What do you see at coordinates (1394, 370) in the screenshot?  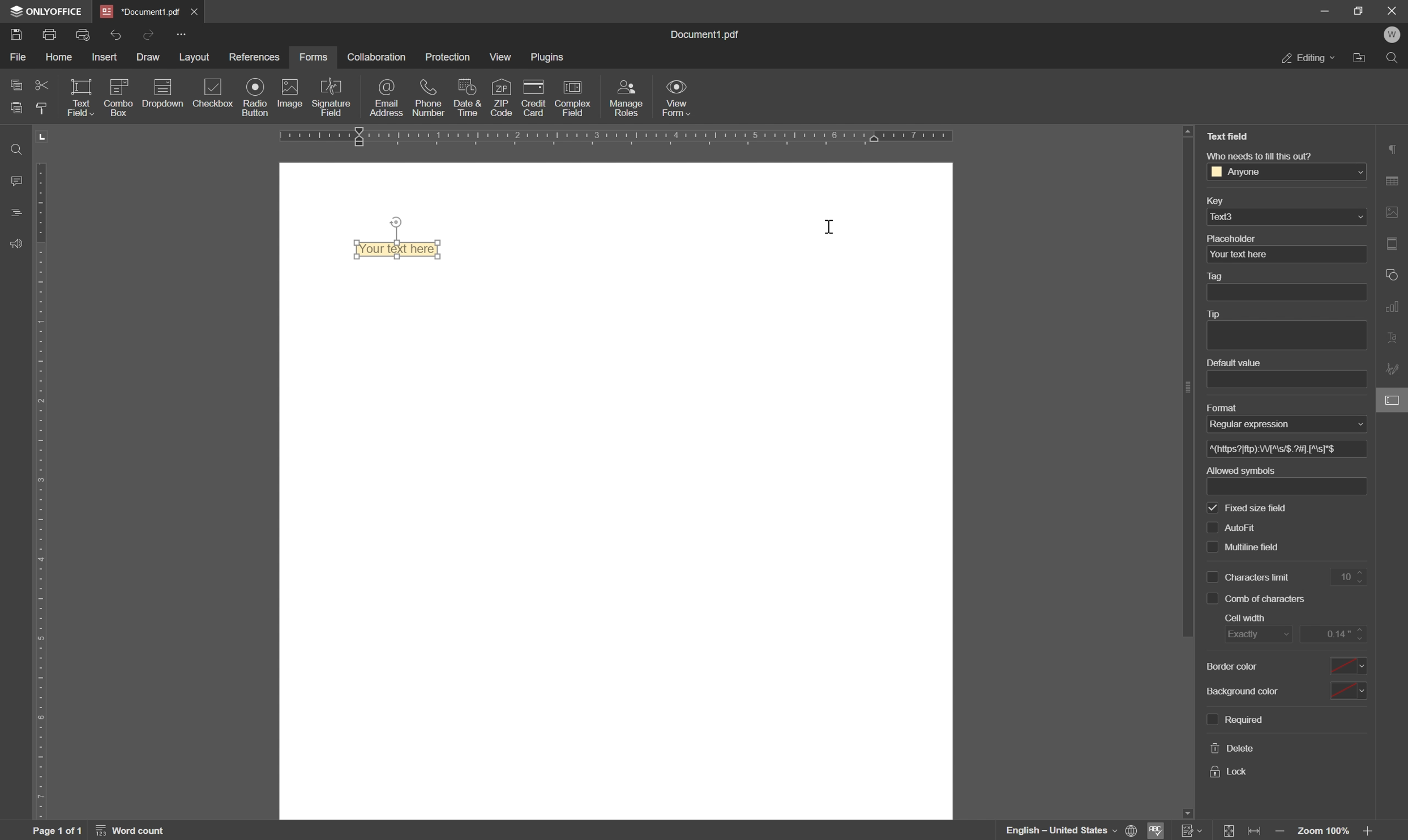 I see `signature settings` at bounding box center [1394, 370].